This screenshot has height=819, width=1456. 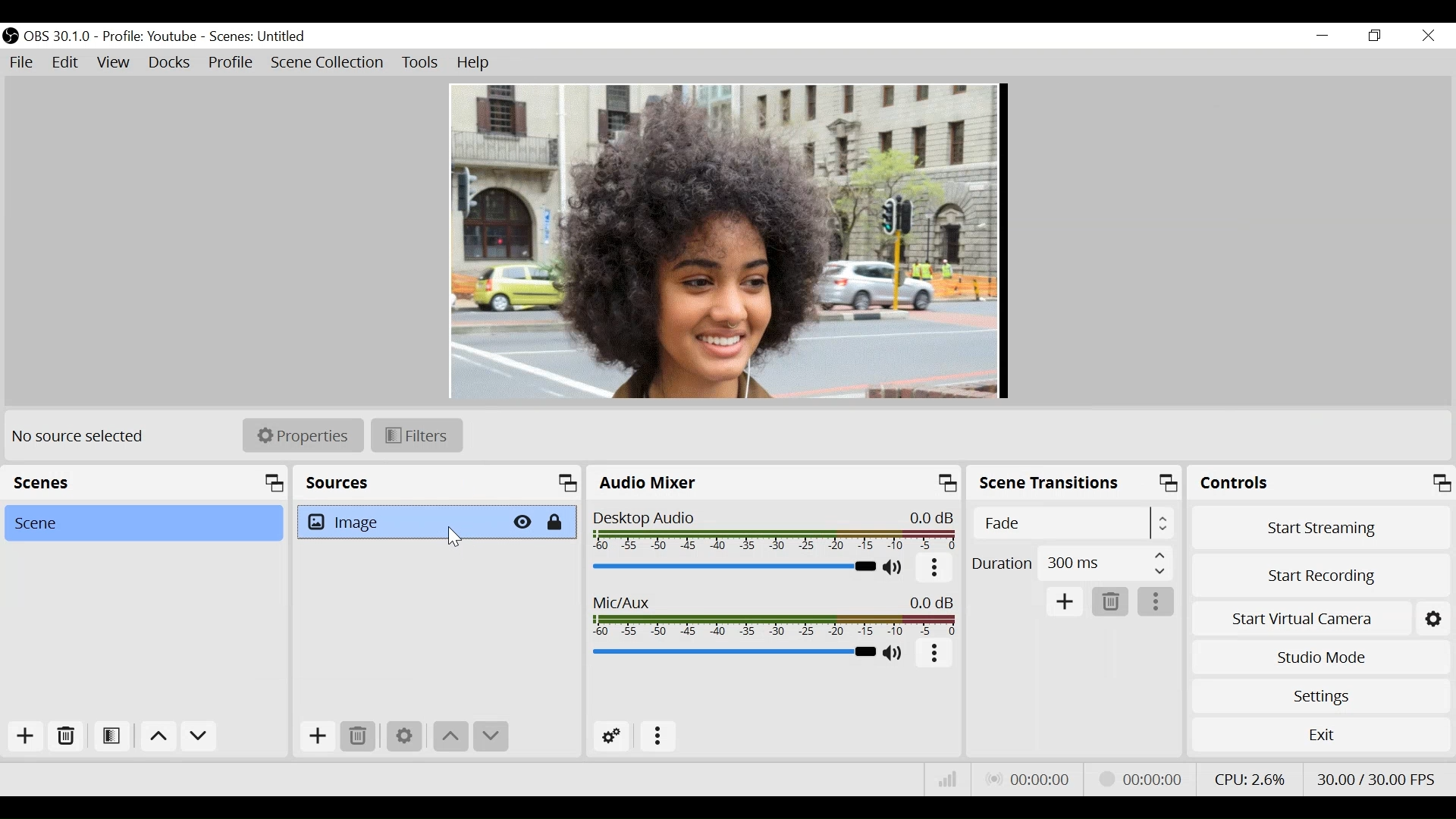 I want to click on Tools, so click(x=422, y=64).